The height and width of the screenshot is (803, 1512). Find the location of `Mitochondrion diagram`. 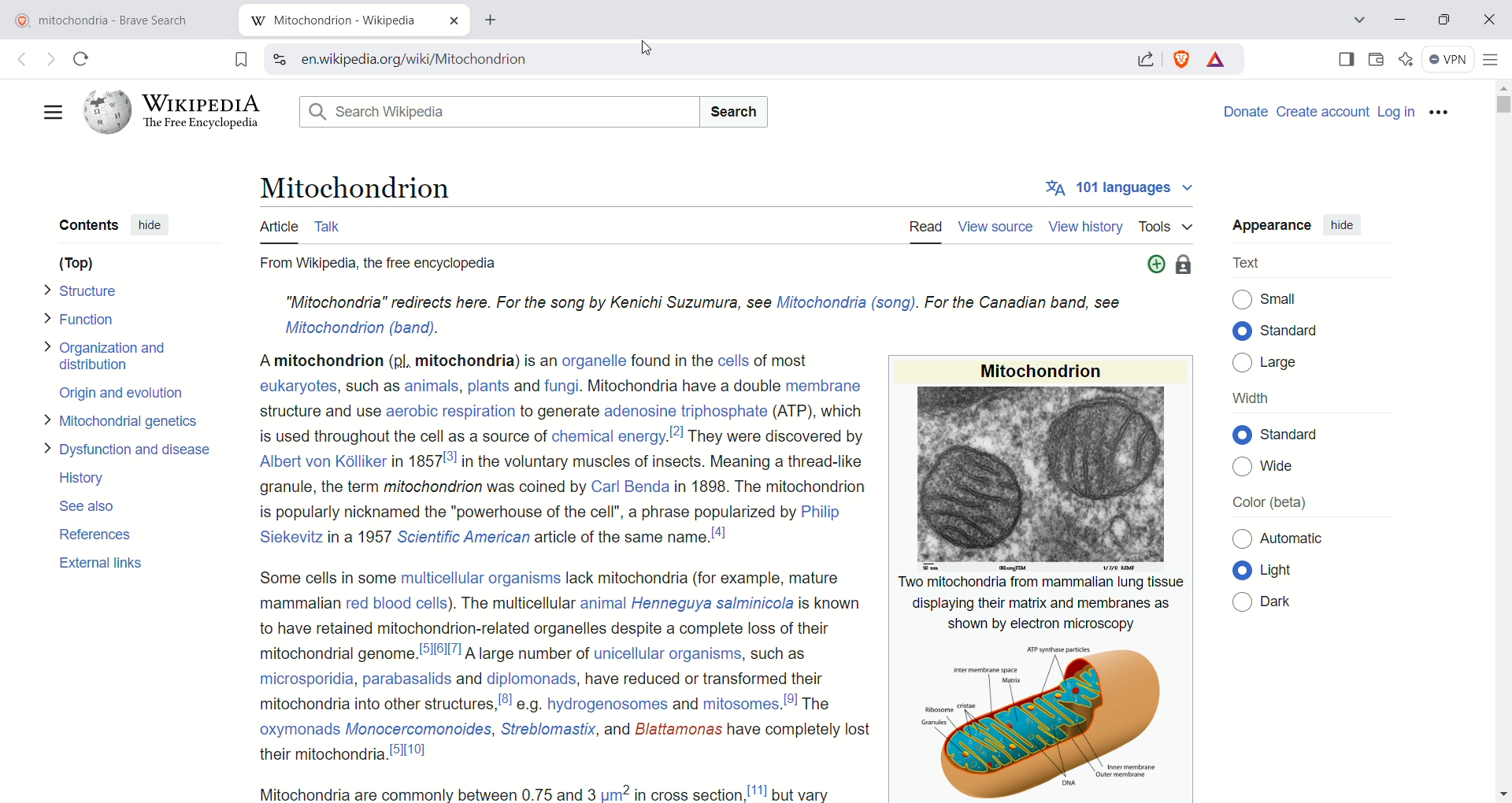

Mitochondrion diagram is located at coordinates (999, 717).